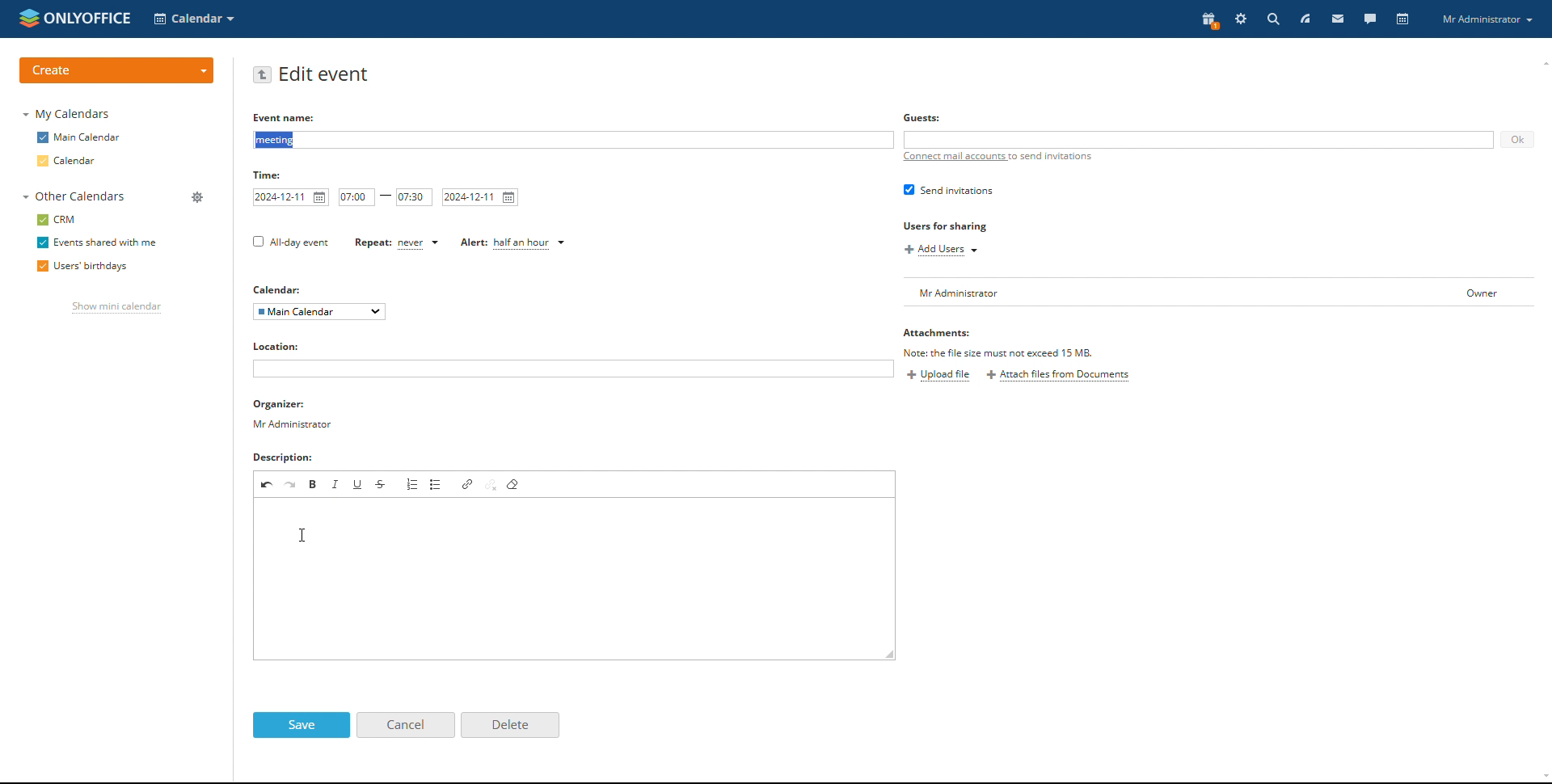 Image resolution: width=1552 pixels, height=784 pixels. What do you see at coordinates (116, 309) in the screenshot?
I see `show mini calendar` at bounding box center [116, 309].